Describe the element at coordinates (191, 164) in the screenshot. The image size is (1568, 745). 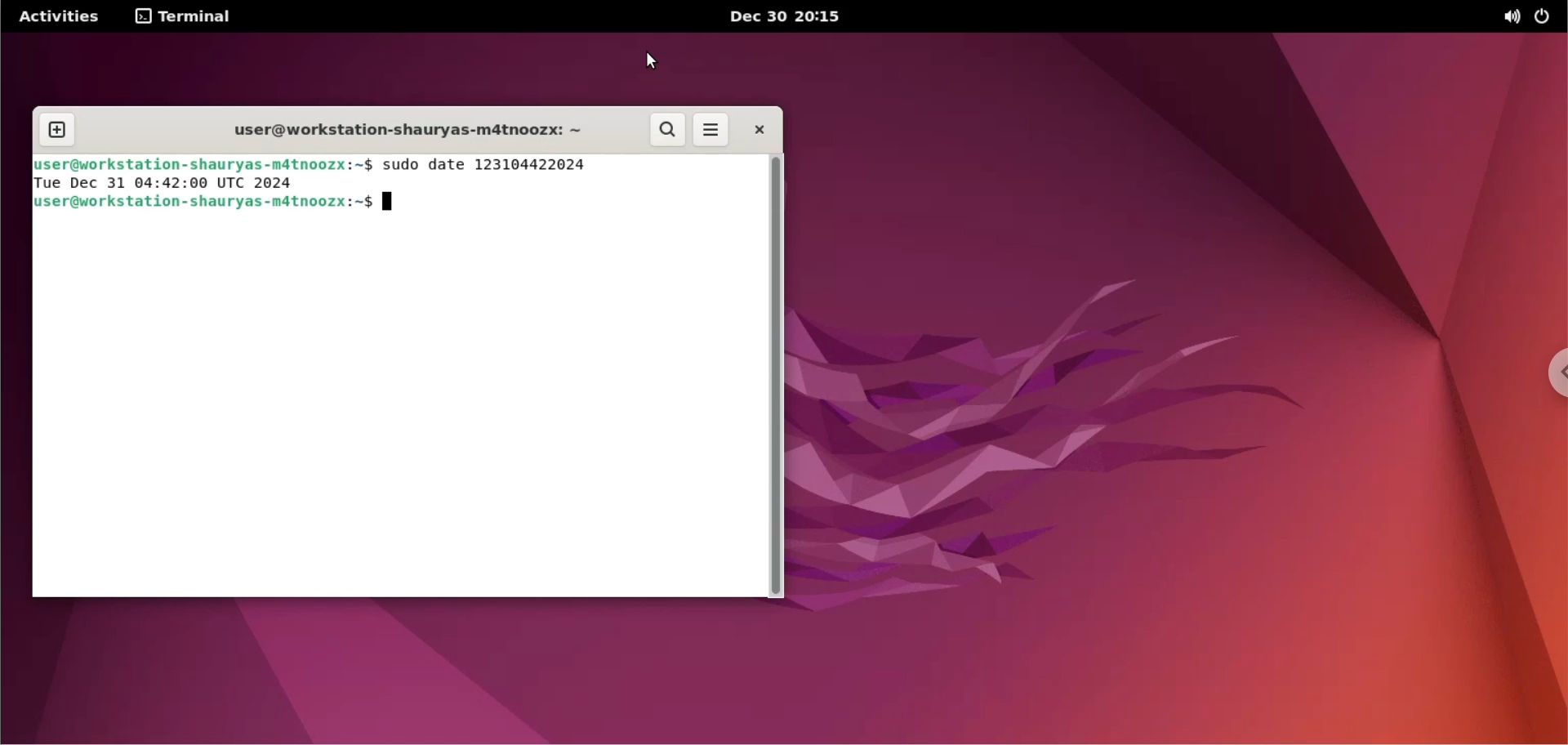
I see `Blluser@workstation-shauryas-mdtnoozx:` at that location.